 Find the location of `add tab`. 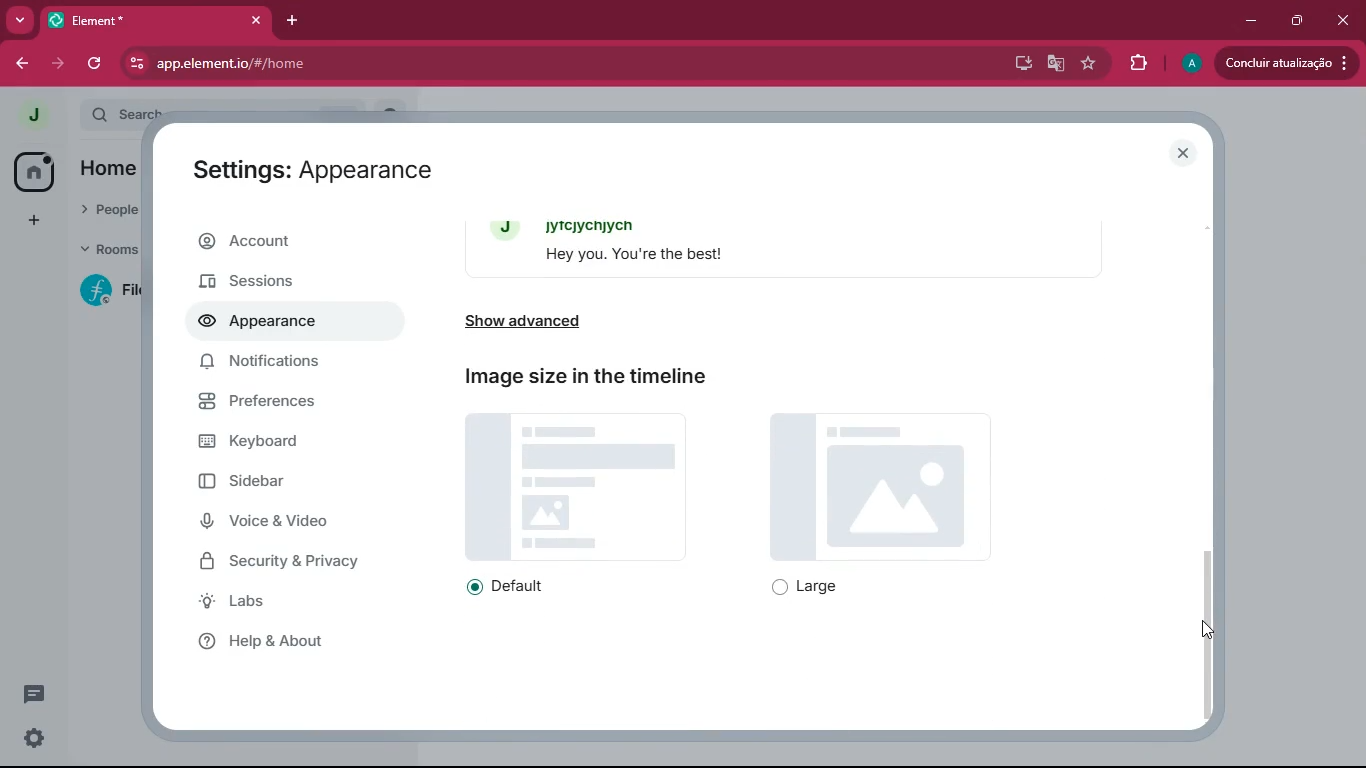

add tab is located at coordinates (297, 23).